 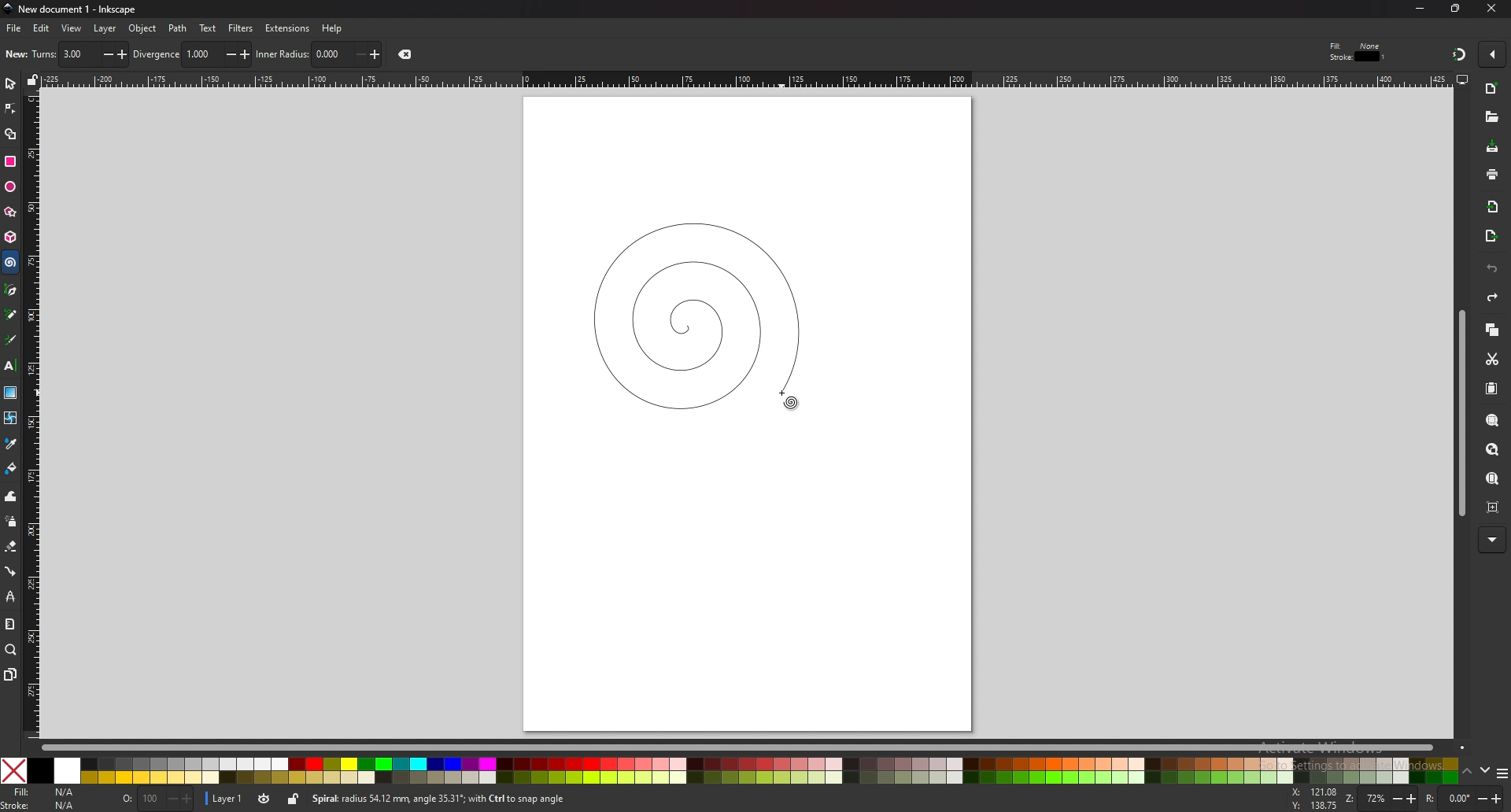 What do you see at coordinates (72, 29) in the screenshot?
I see `view` at bounding box center [72, 29].